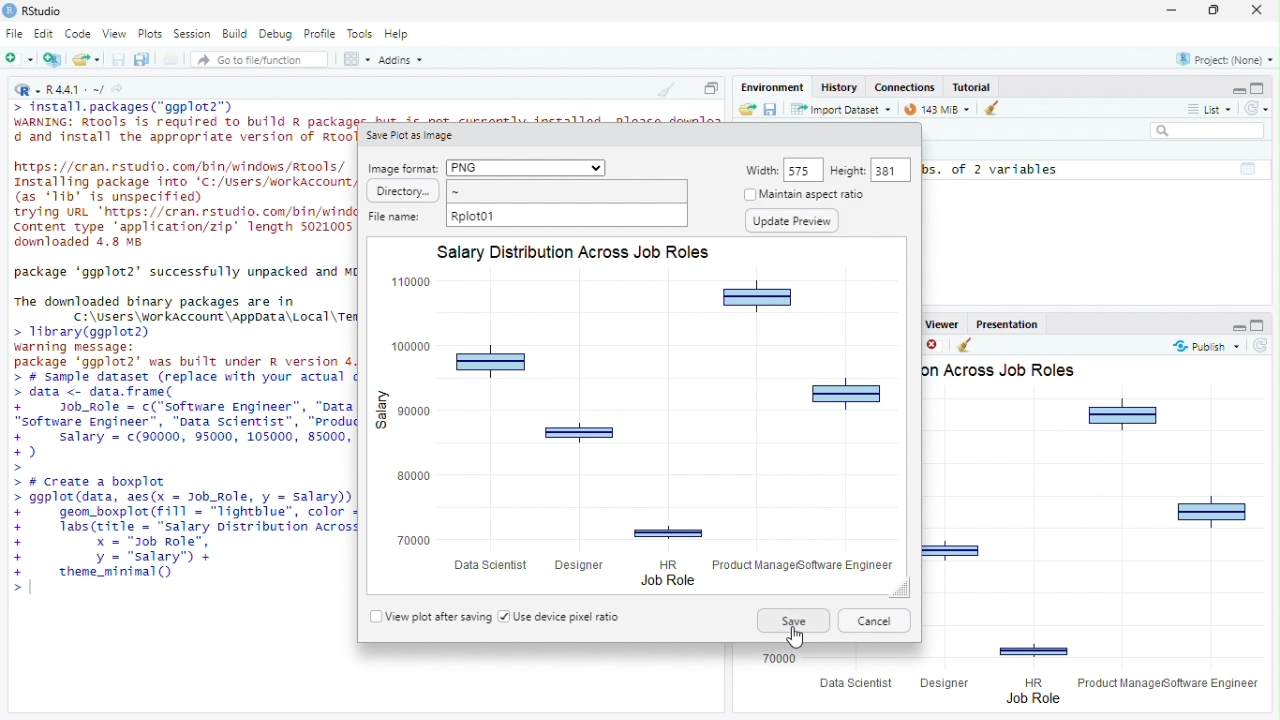 The height and width of the screenshot is (720, 1280). Describe the element at coordinates (527, 191) in the screenshot. I see `Directory` at that location.